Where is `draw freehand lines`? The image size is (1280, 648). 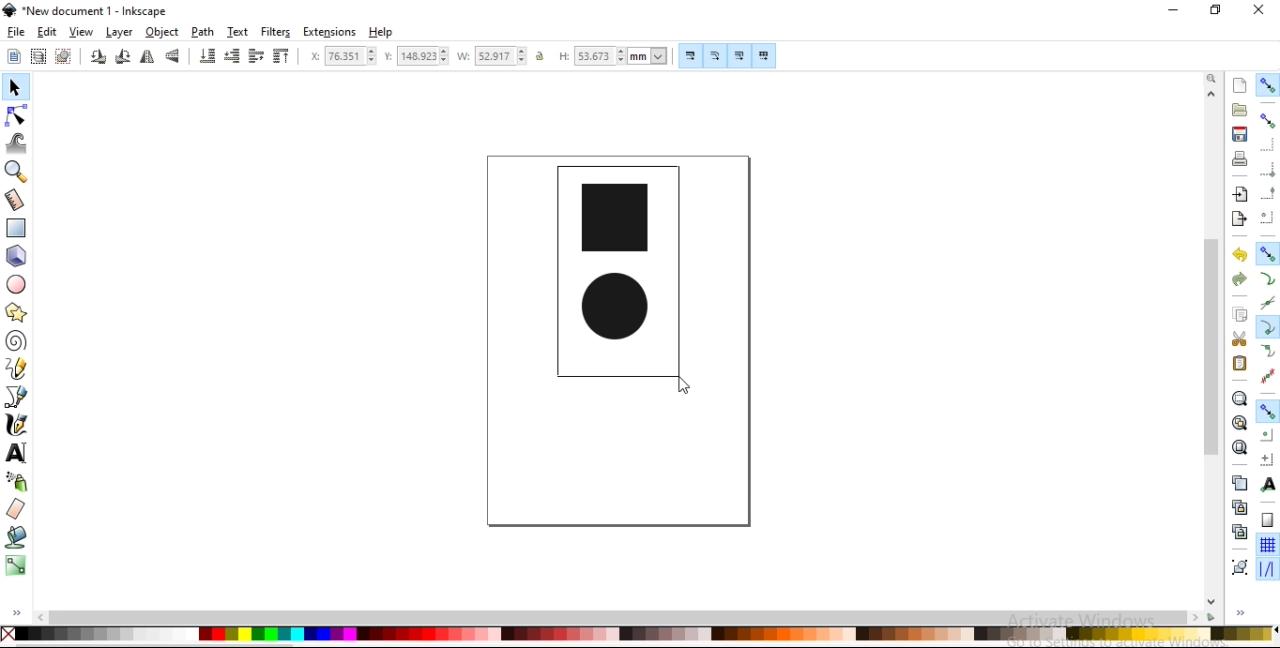 draw freehand lines is located at coordinates (15, 370).